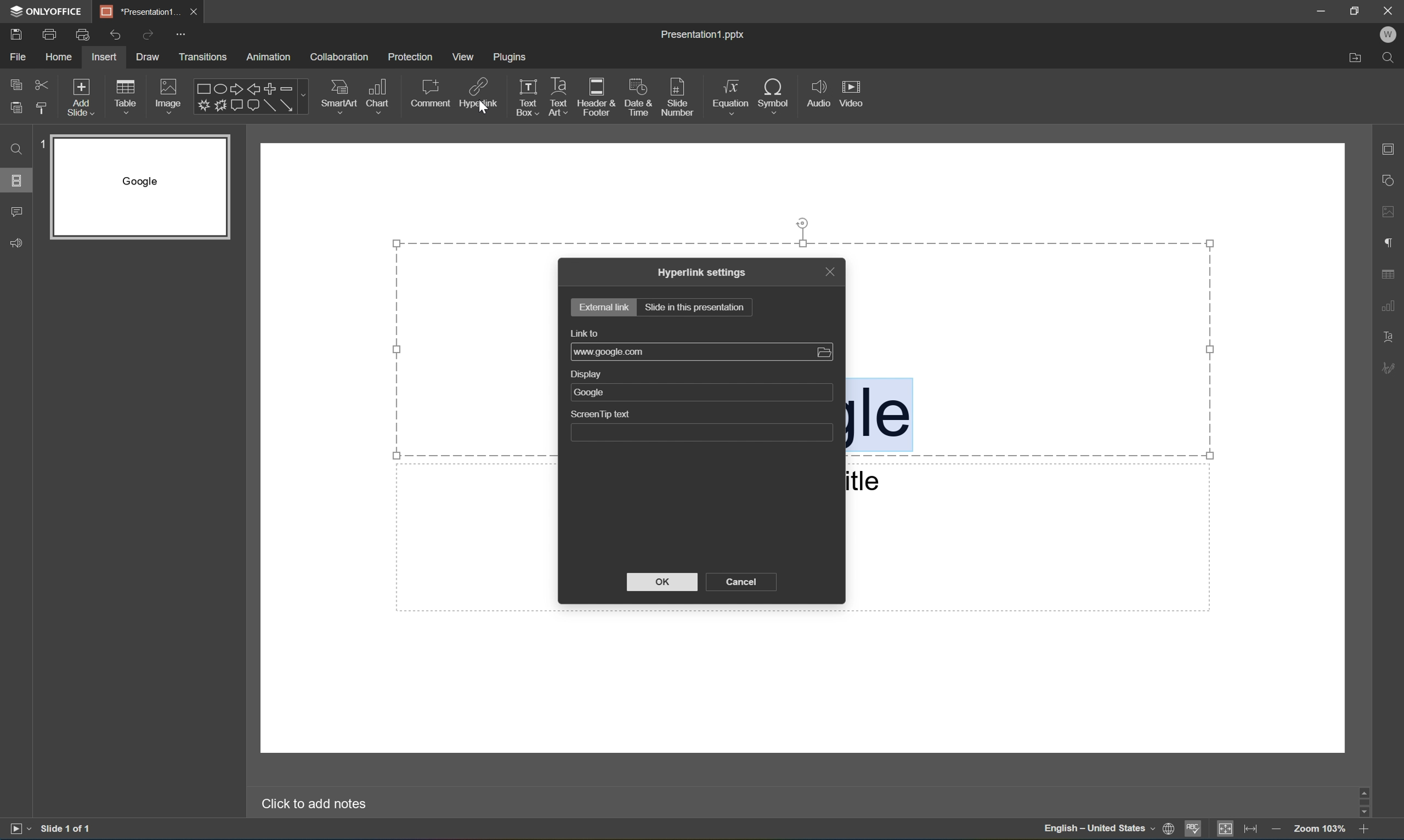 This screenshot has height=840, width=1404. I want to click on Print file, so click(50, 36).